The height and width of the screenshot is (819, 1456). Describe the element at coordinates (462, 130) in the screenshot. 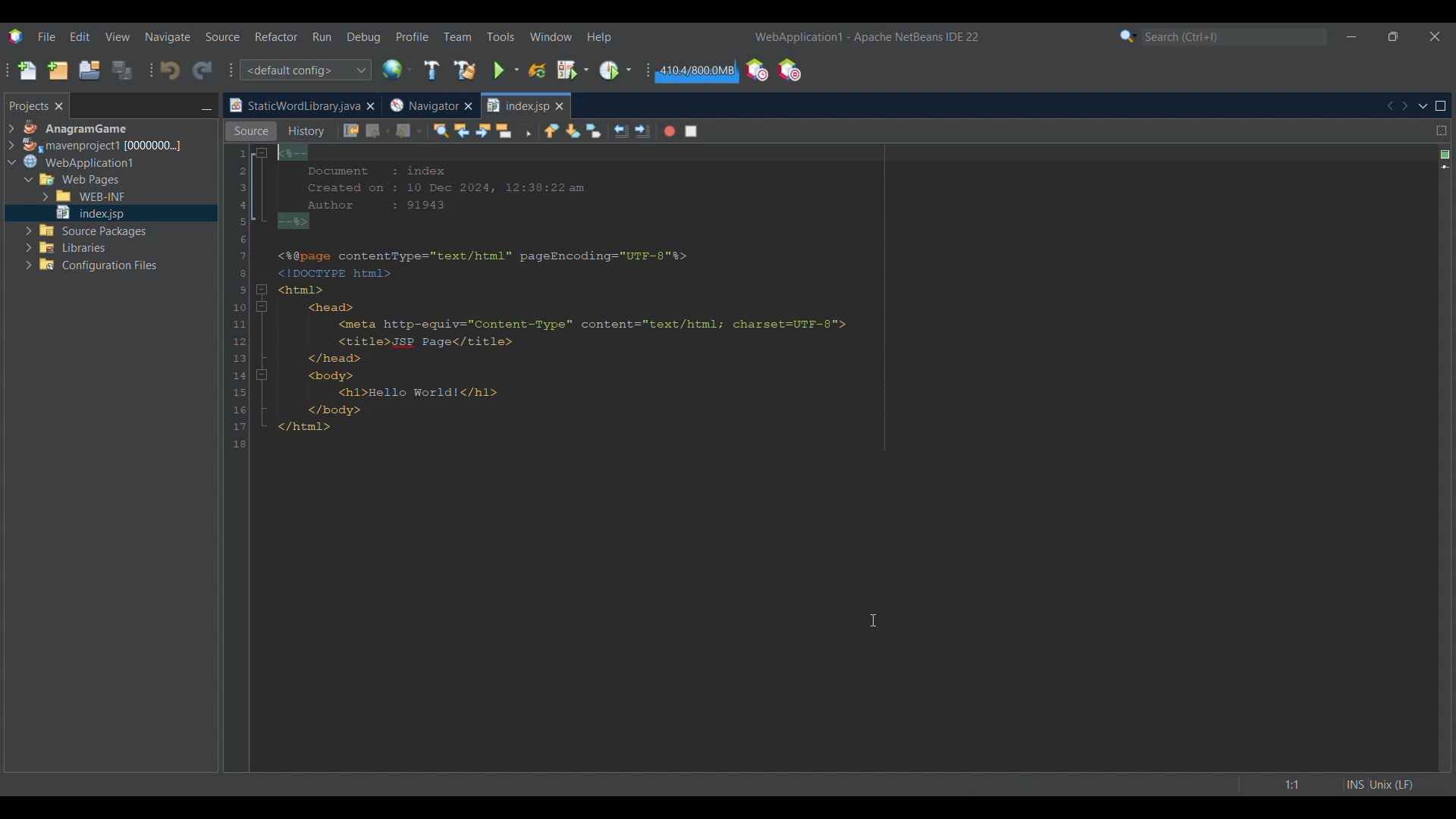

I see `Find previous occurrences` at that location.